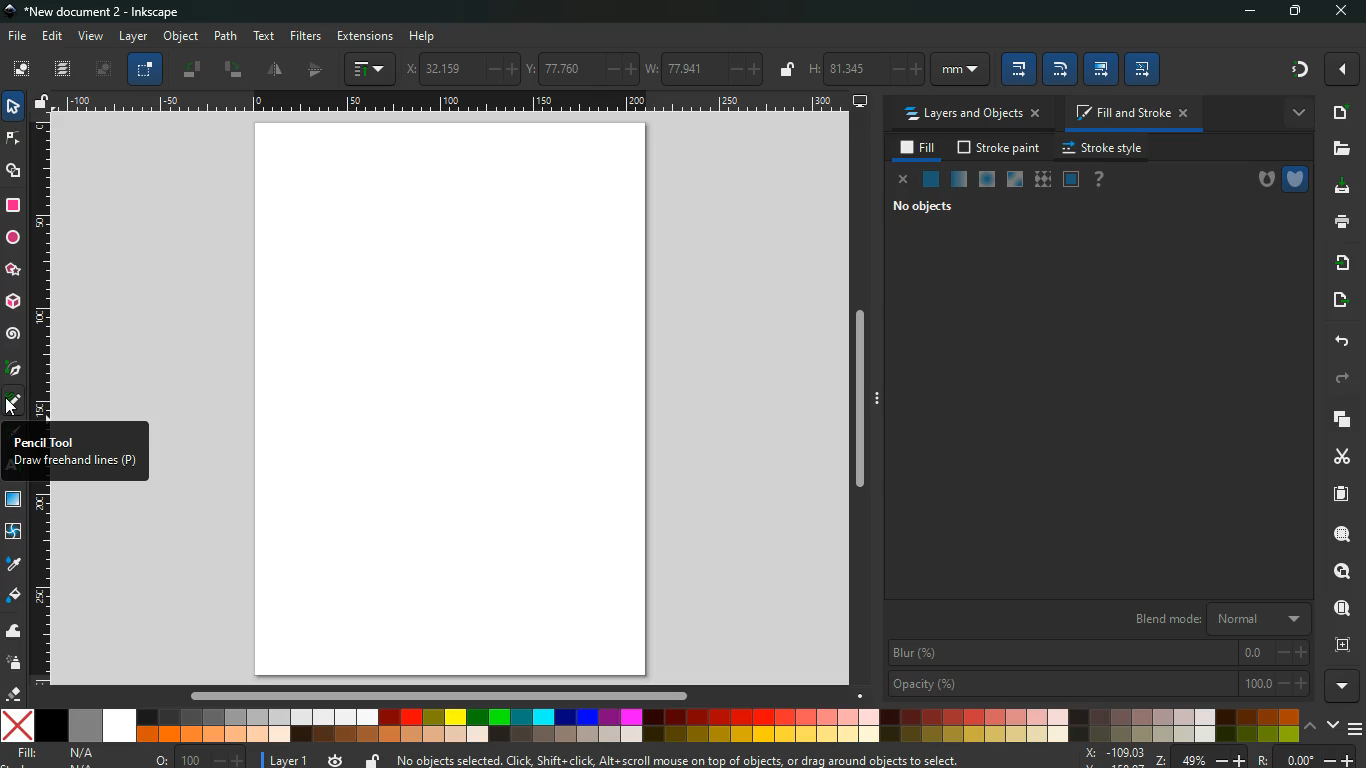 Image resolution: width=1366 pixels, height=768 pixels. What do you see at coordinates (786, 71) in the screenshot?
I see `unlock` at bounding box center [786, 71].